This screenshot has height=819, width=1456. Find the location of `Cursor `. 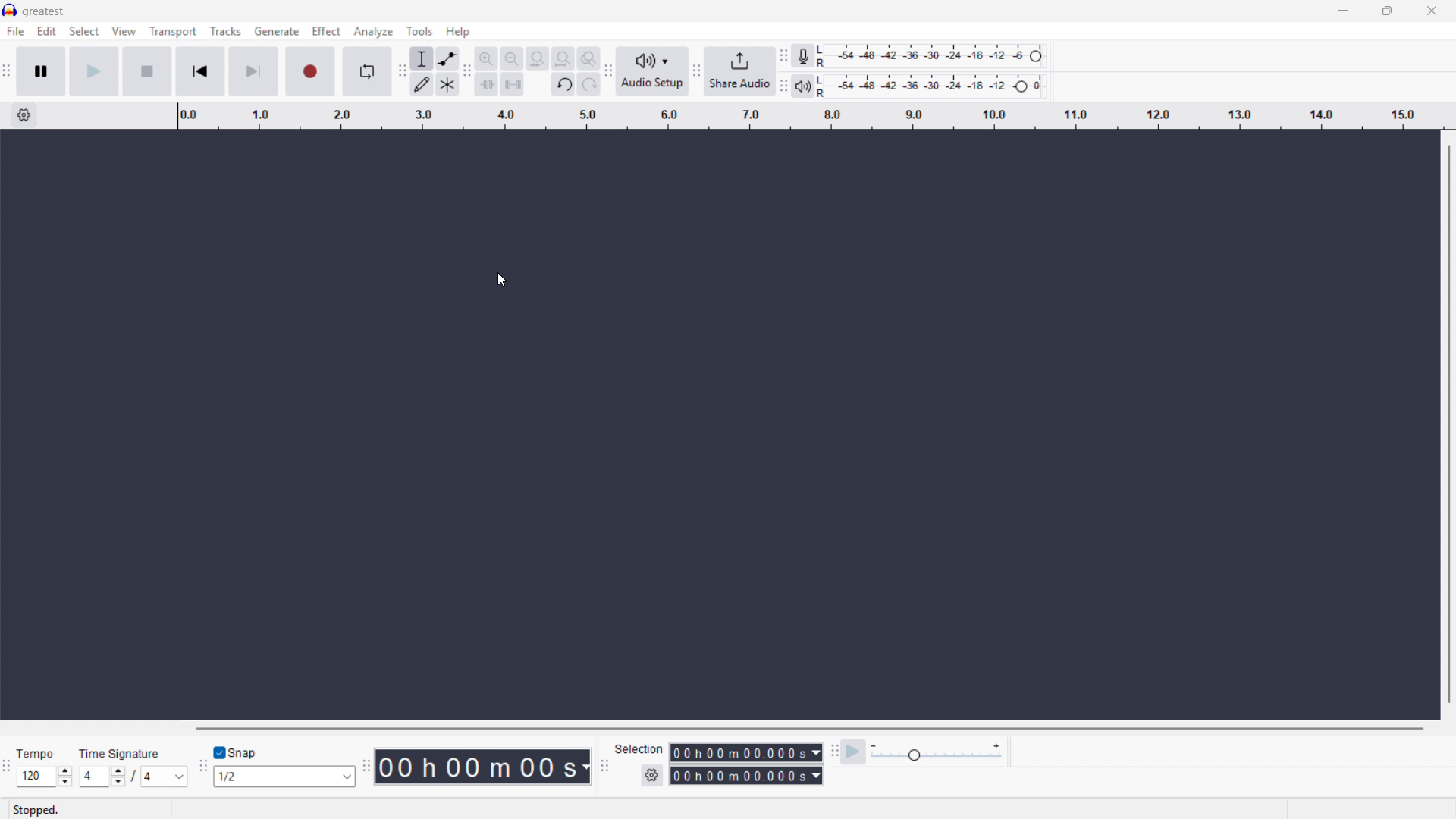

Cursor  is located at coordinates (436, 503).